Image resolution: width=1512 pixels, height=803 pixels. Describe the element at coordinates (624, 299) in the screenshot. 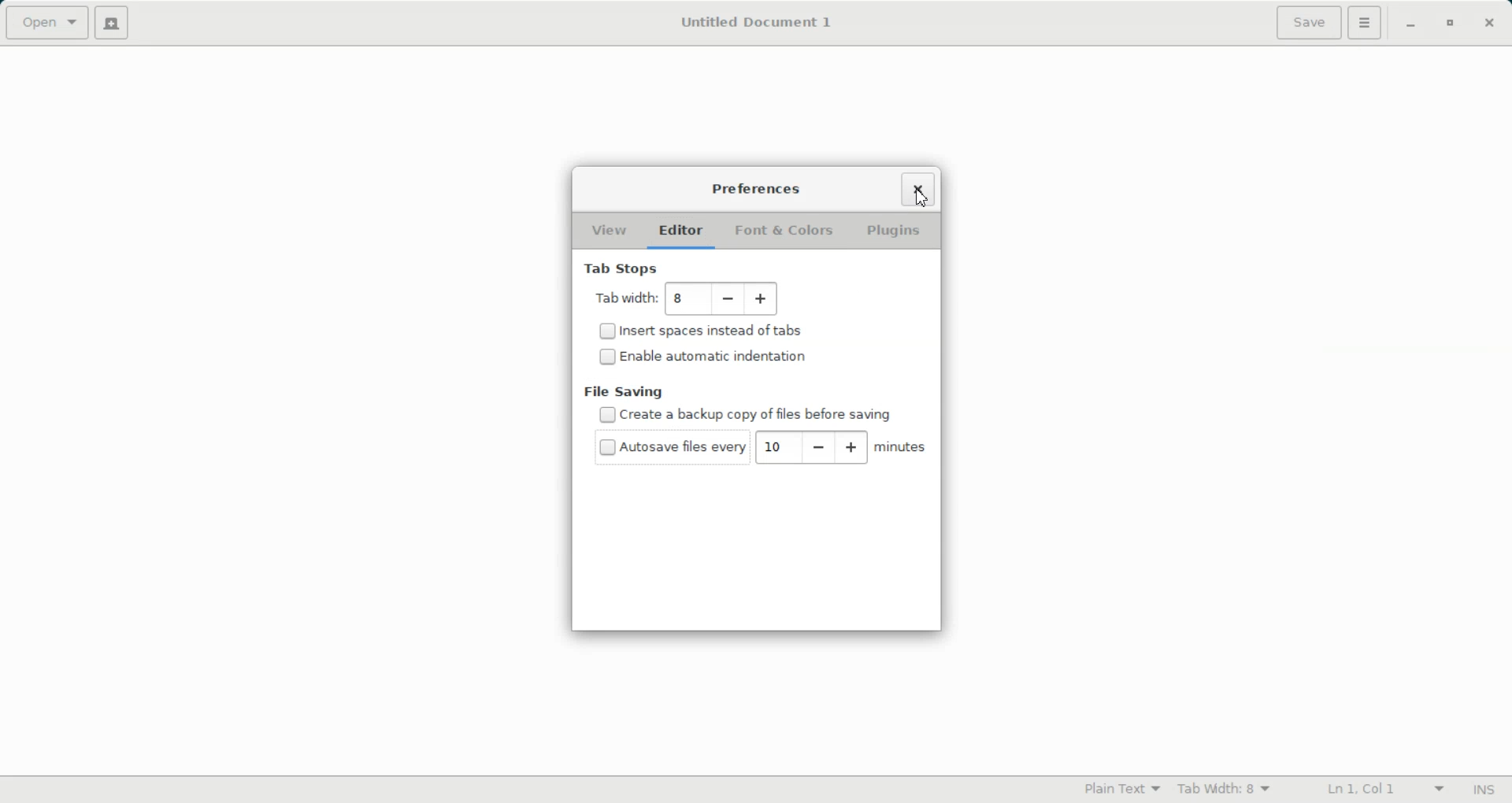

I see `tab width` at that location.